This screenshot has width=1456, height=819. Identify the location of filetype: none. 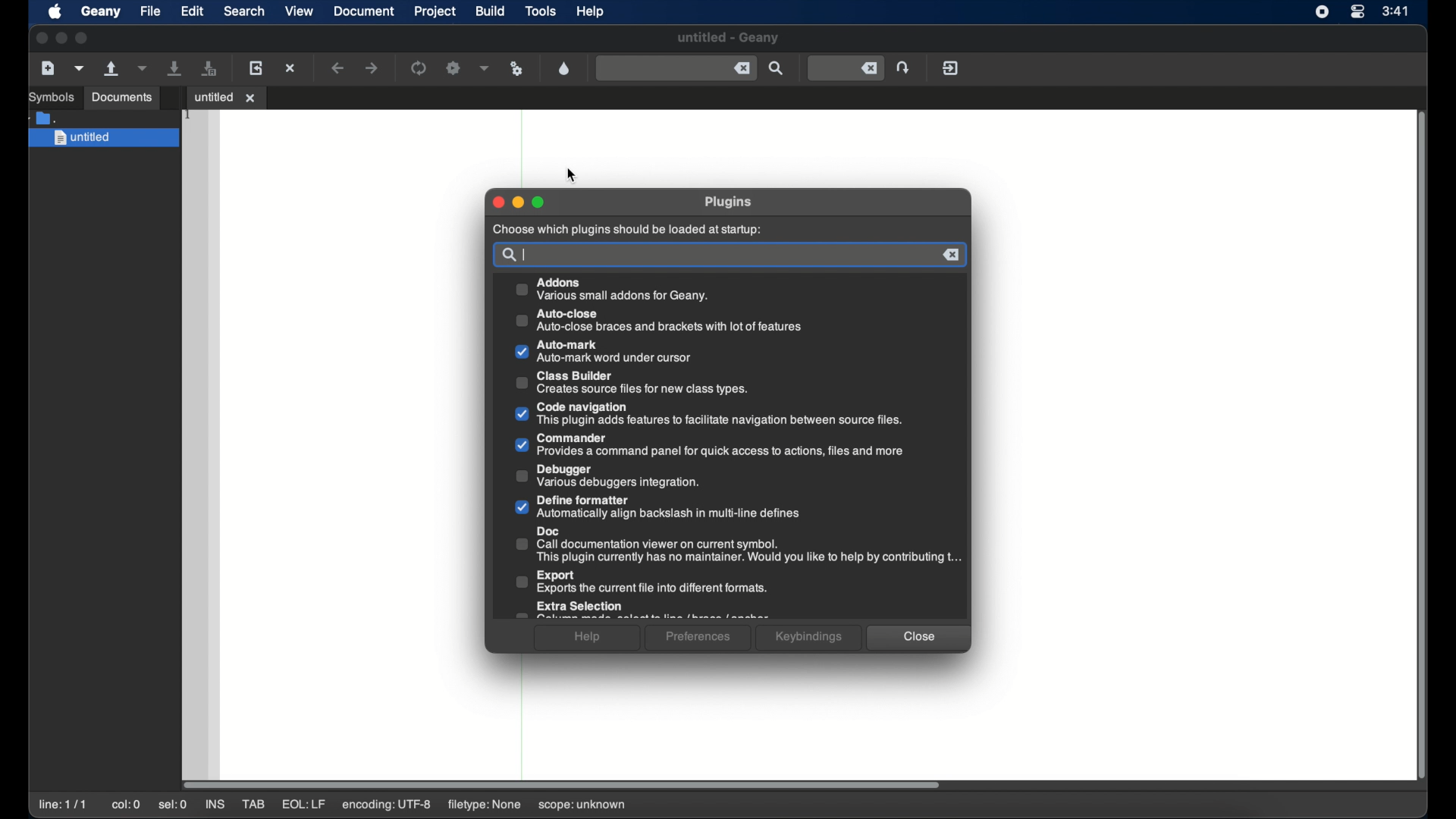
(482, 804).